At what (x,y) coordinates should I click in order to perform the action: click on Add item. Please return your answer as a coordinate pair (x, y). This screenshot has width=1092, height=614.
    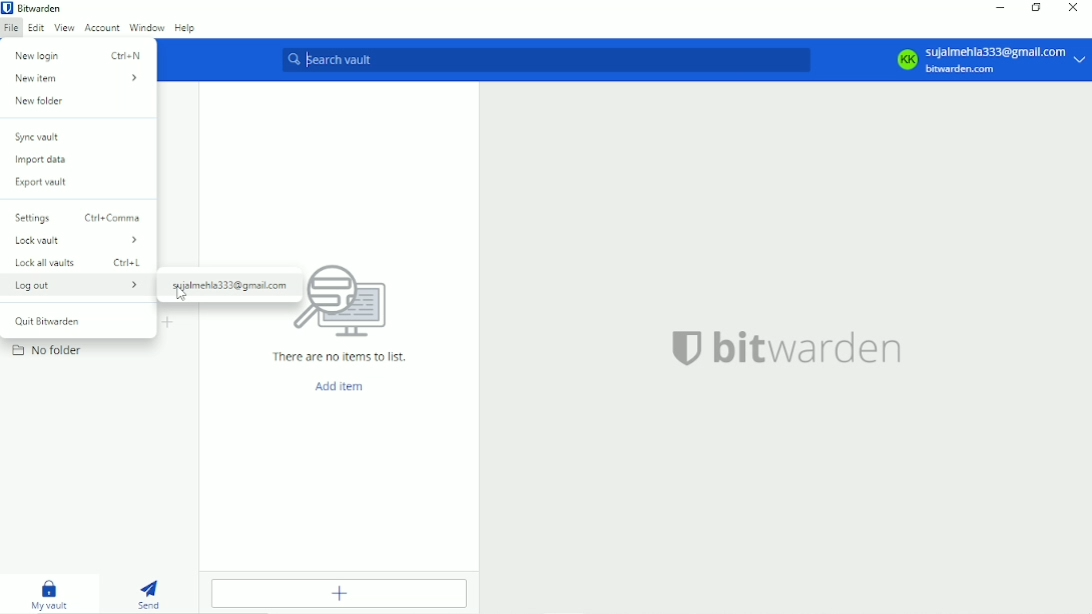
    Looking at the image, I should click on (342, 387).